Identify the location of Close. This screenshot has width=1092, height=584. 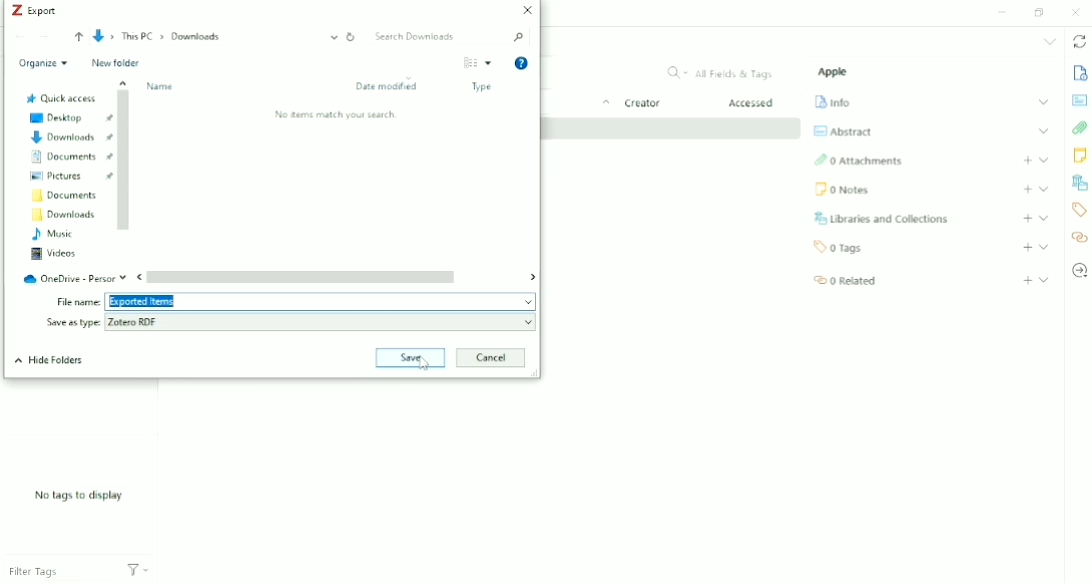
(526, 12).